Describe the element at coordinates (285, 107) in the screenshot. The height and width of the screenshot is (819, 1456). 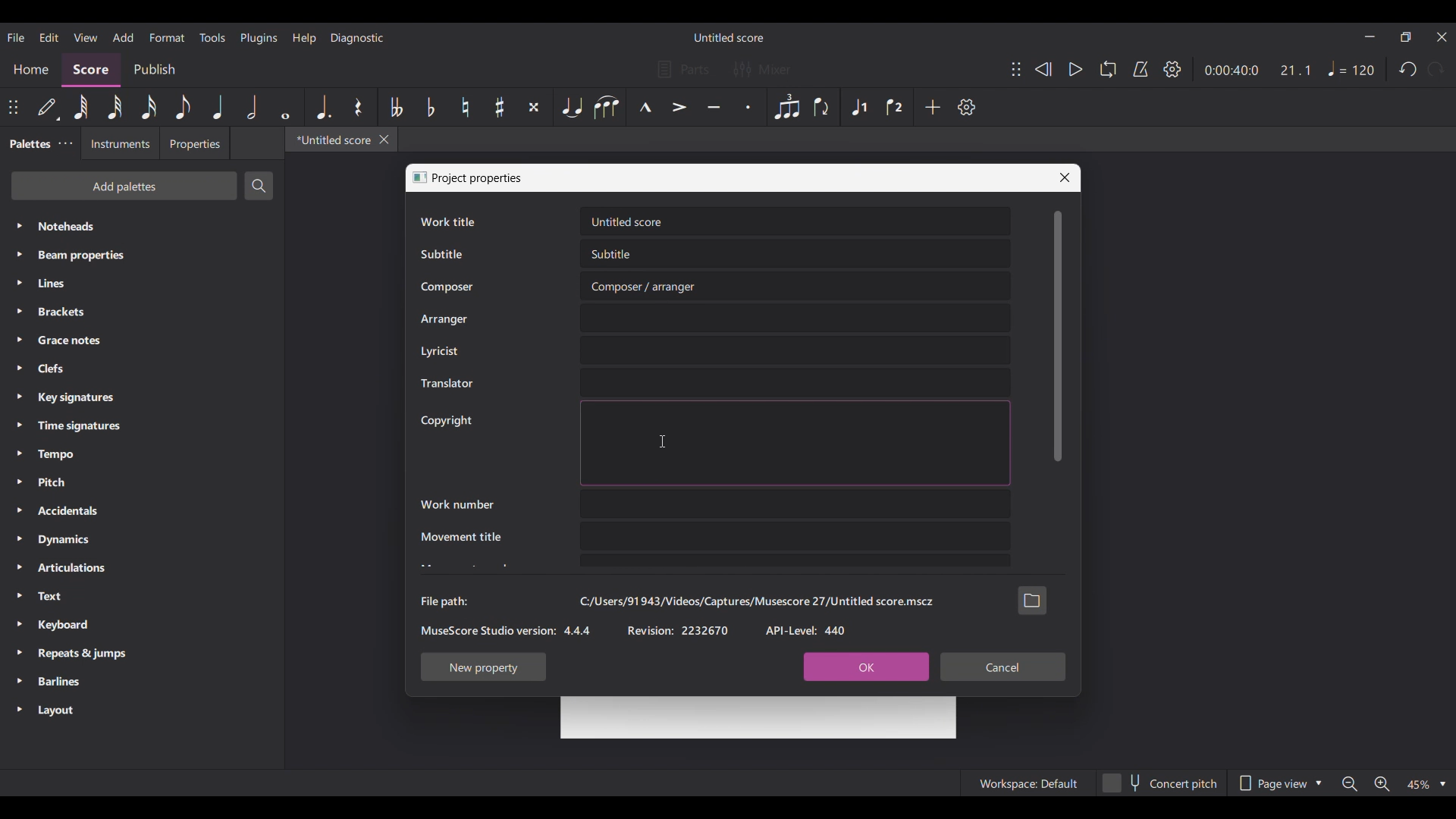
I see `Whole note` at that location.